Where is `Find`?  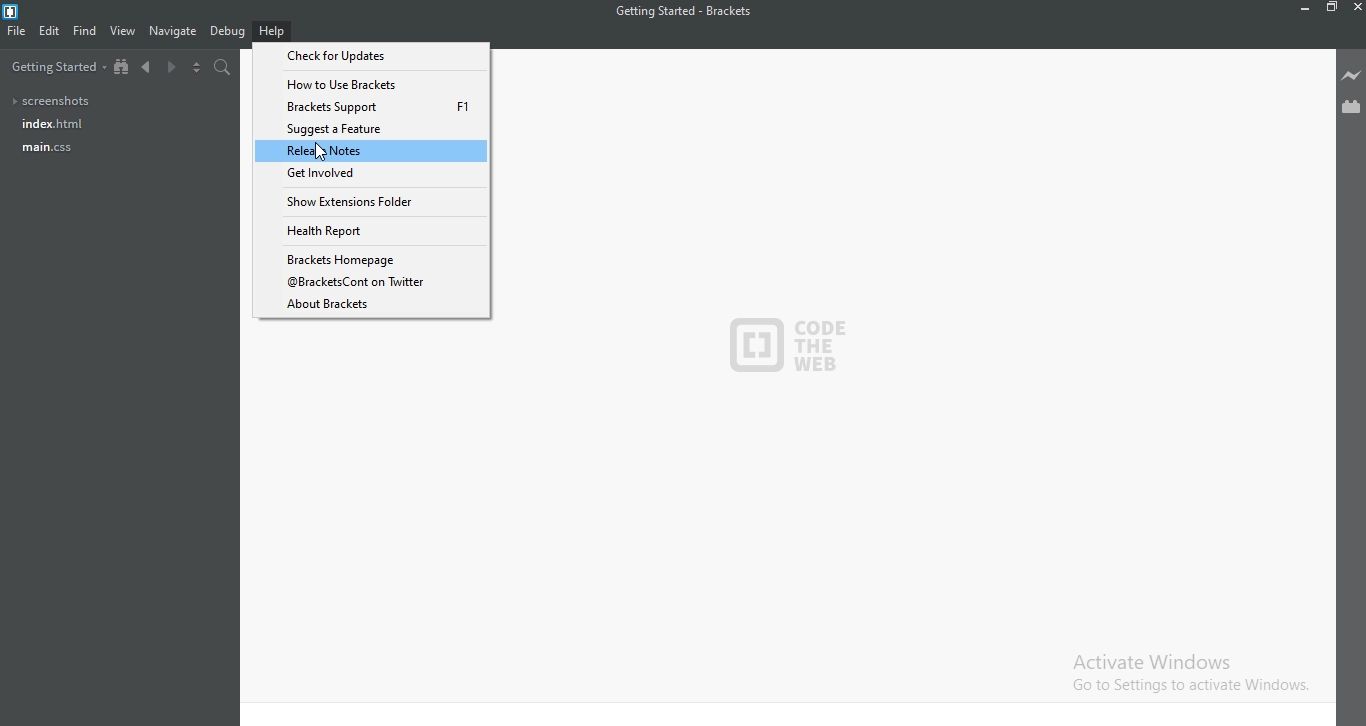 Find is located at coordinates (86, 30).